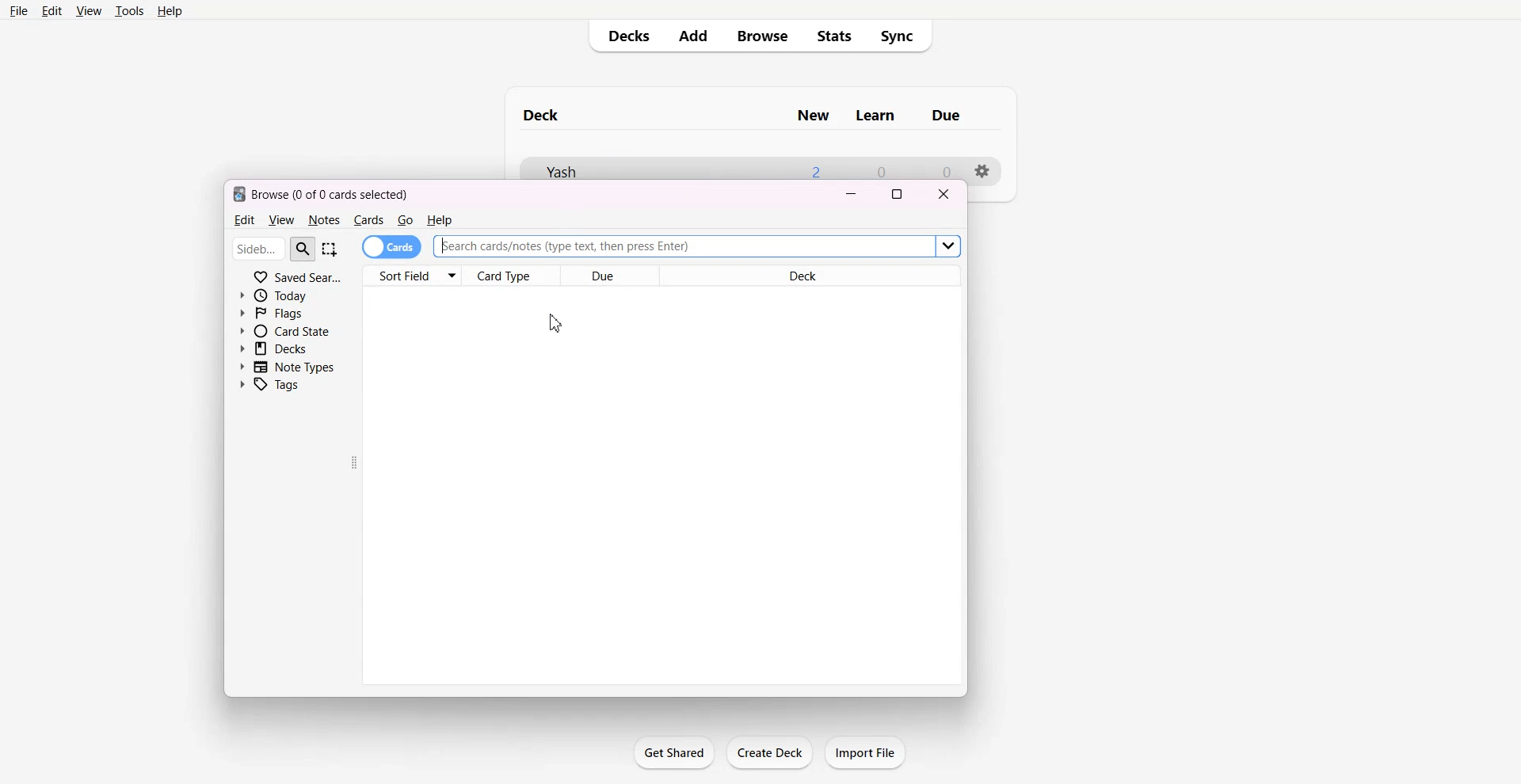 The image size is (1521, 784). What do you see at coordinates (324, 220) in the screenshot?
I see `Notes` at bounding box center [324, 220].